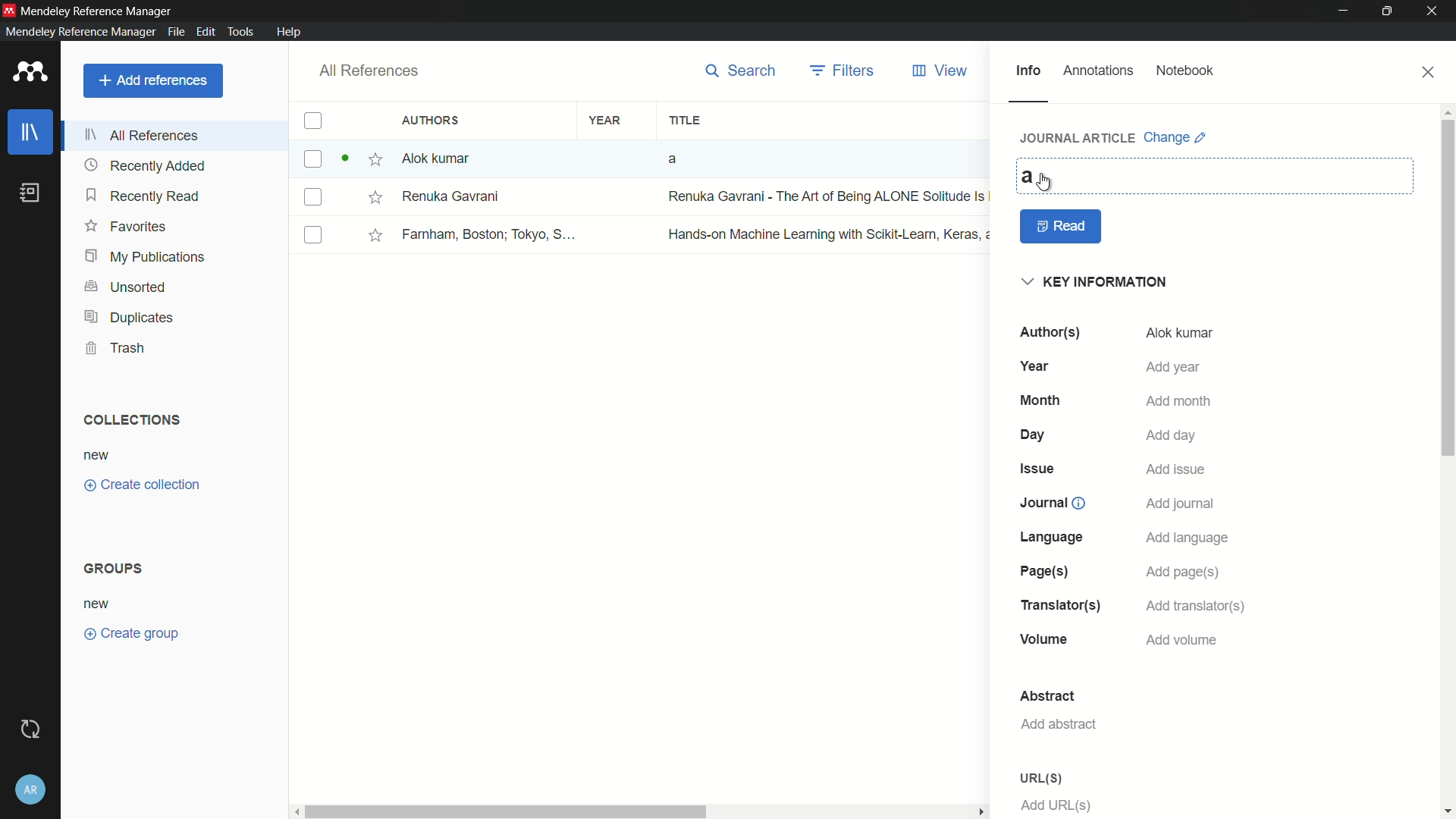 This screenshot has width=1456, height=819. Describe the element at coordinates (145, 166) in the screenshot. I see `recently added` at that location.